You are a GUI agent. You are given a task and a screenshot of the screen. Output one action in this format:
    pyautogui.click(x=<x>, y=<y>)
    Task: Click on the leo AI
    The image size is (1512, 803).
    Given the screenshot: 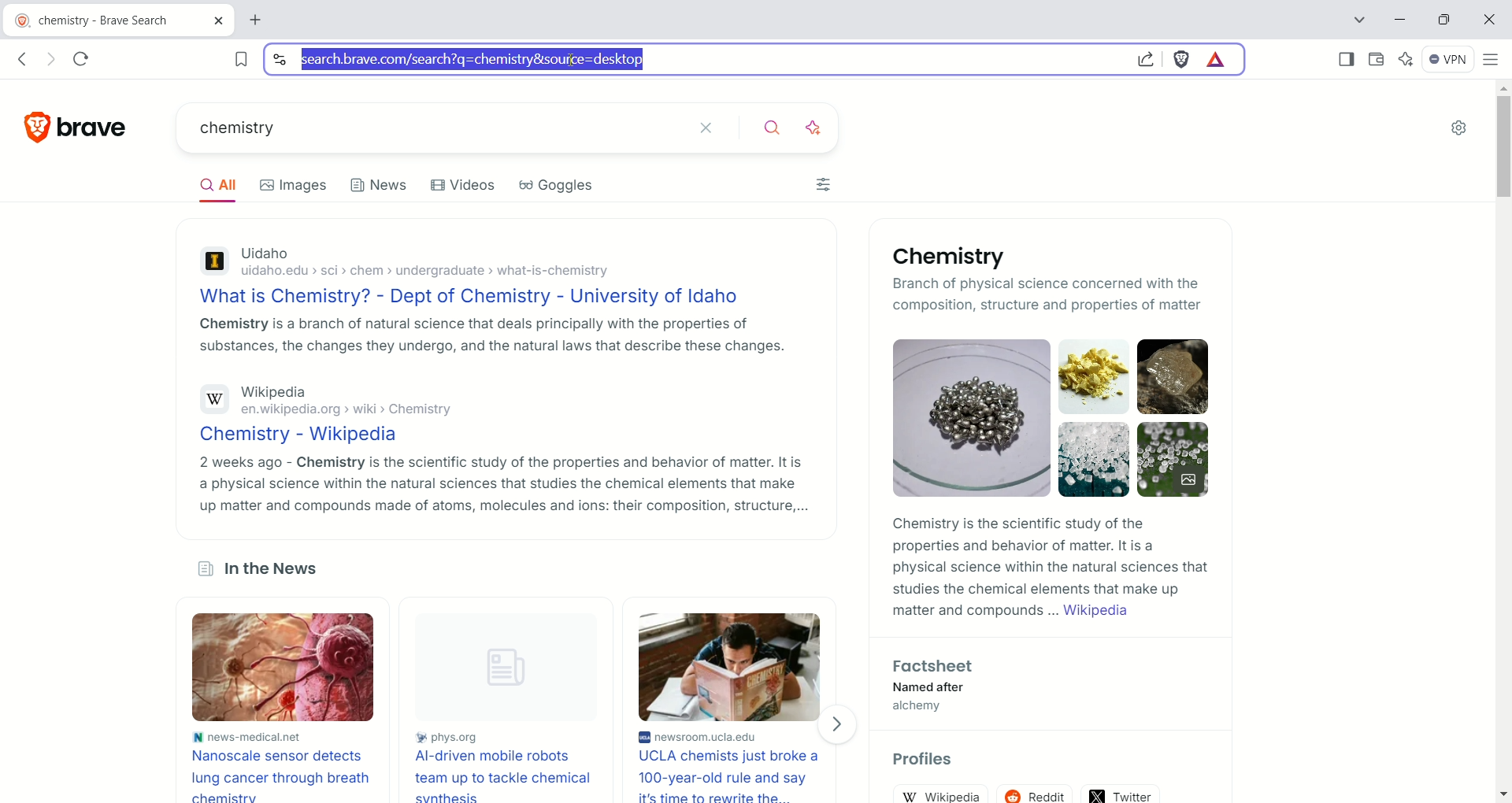 What is the action you would take?
    pyautogui.click(x=819, y=128)
    